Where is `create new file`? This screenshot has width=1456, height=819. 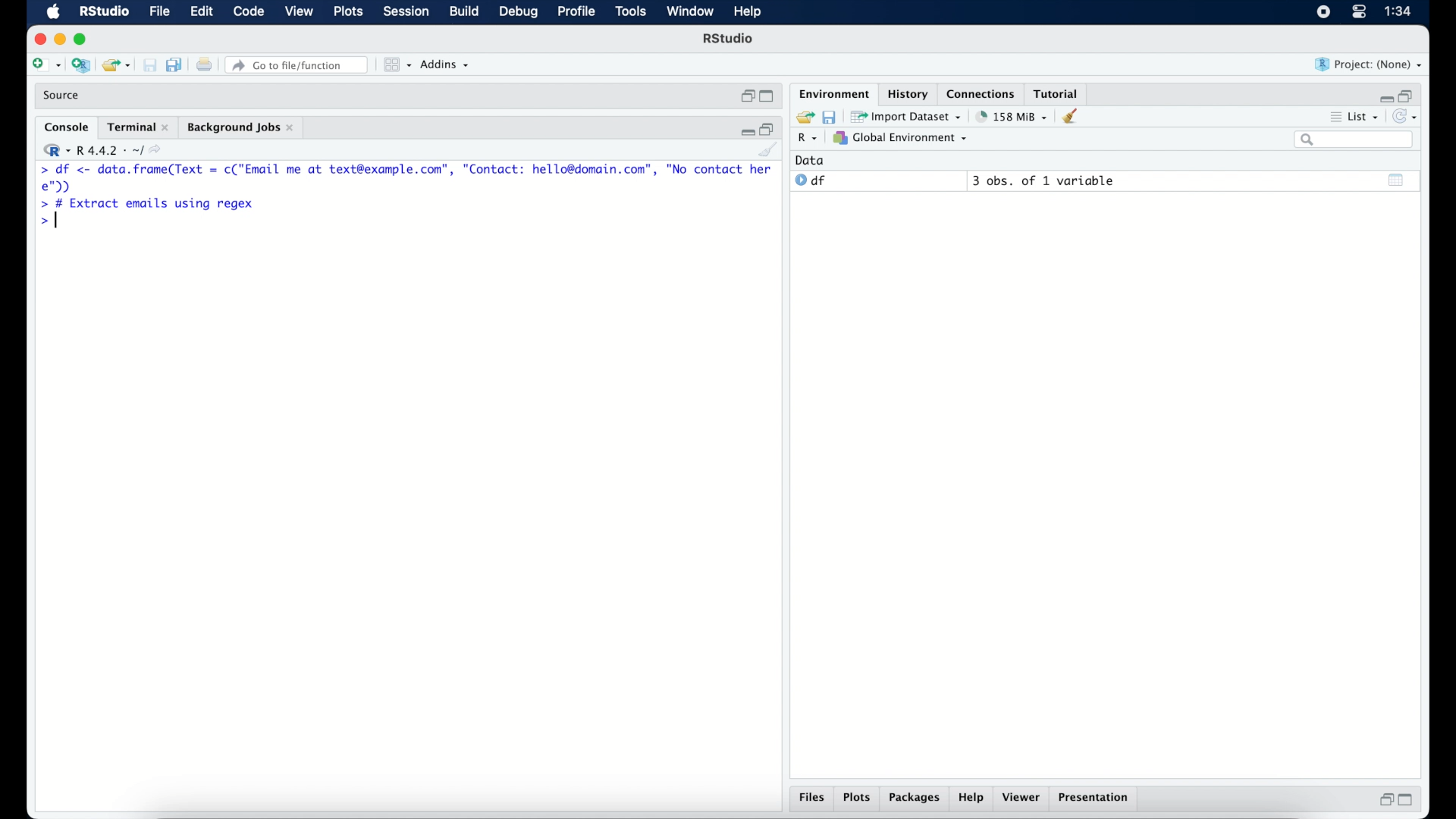
create new file is located at coordinates (45, 65).